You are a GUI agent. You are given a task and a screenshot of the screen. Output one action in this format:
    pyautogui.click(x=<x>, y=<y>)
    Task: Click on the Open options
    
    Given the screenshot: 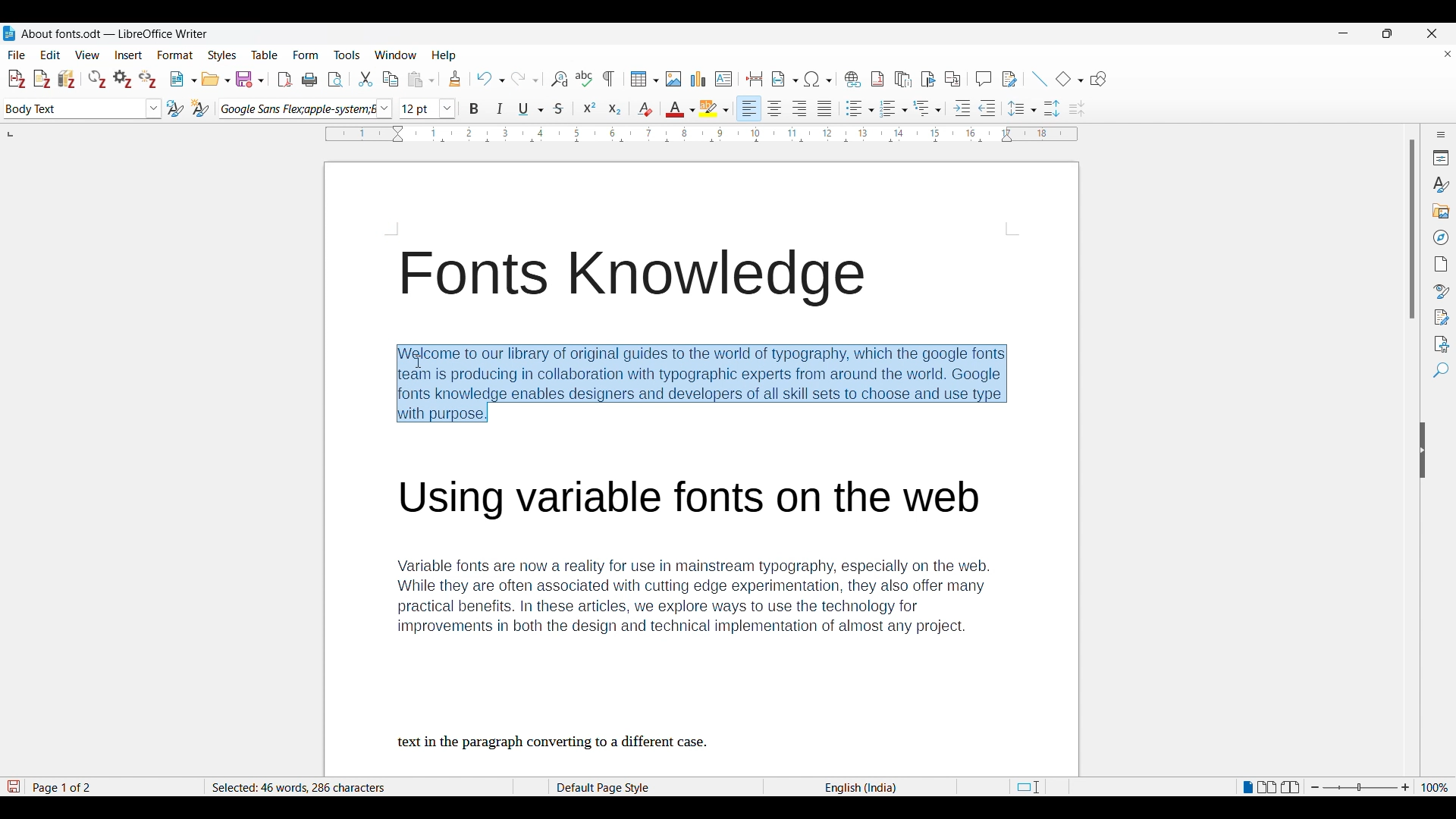 What is the action you would take?
    pyautogui.click(x=215, y=79)
    